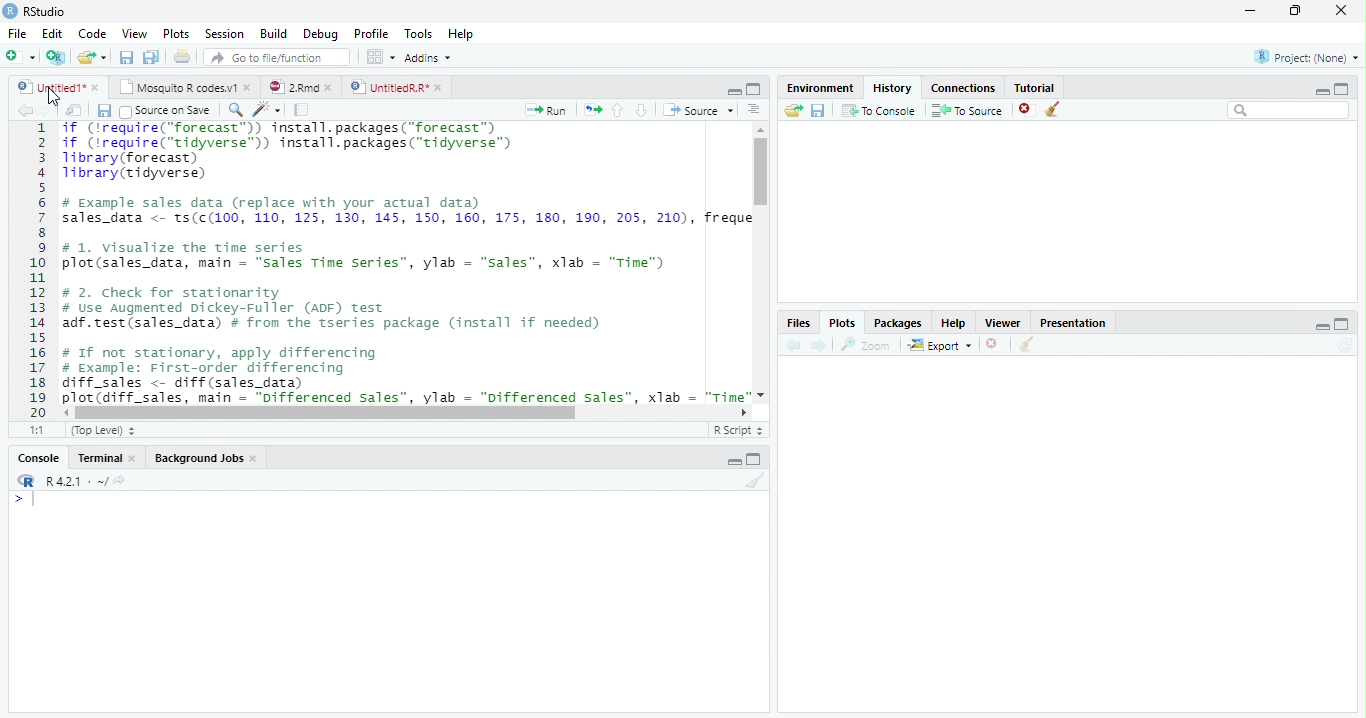 The width and height of the screenshot is (1366, 718). Describe the element at coordinates (263, 109) in the screenshot. I see `Code Tools` at that location.